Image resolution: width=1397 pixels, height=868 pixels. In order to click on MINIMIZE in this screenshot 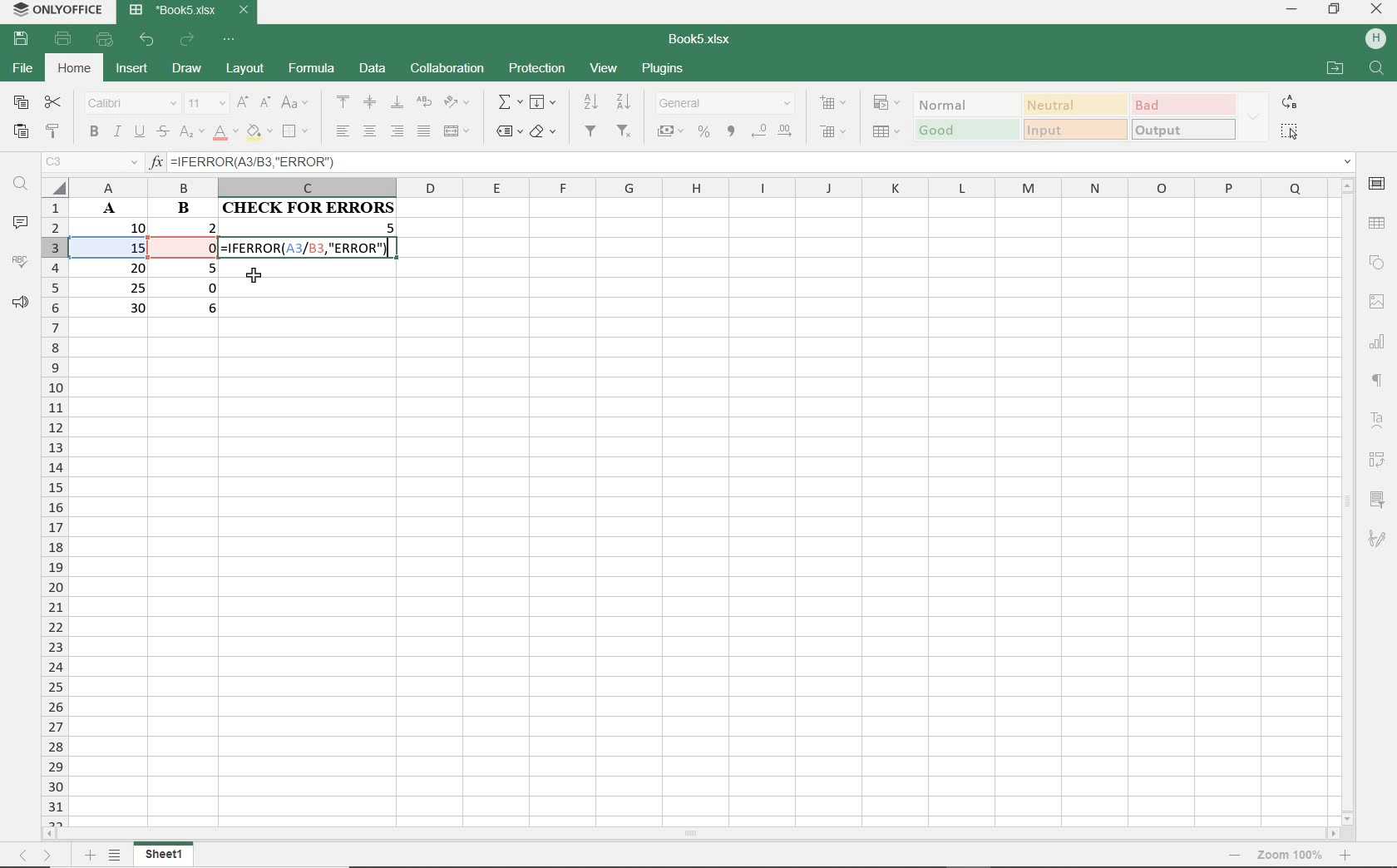, I will do `click(1291, 10)`.